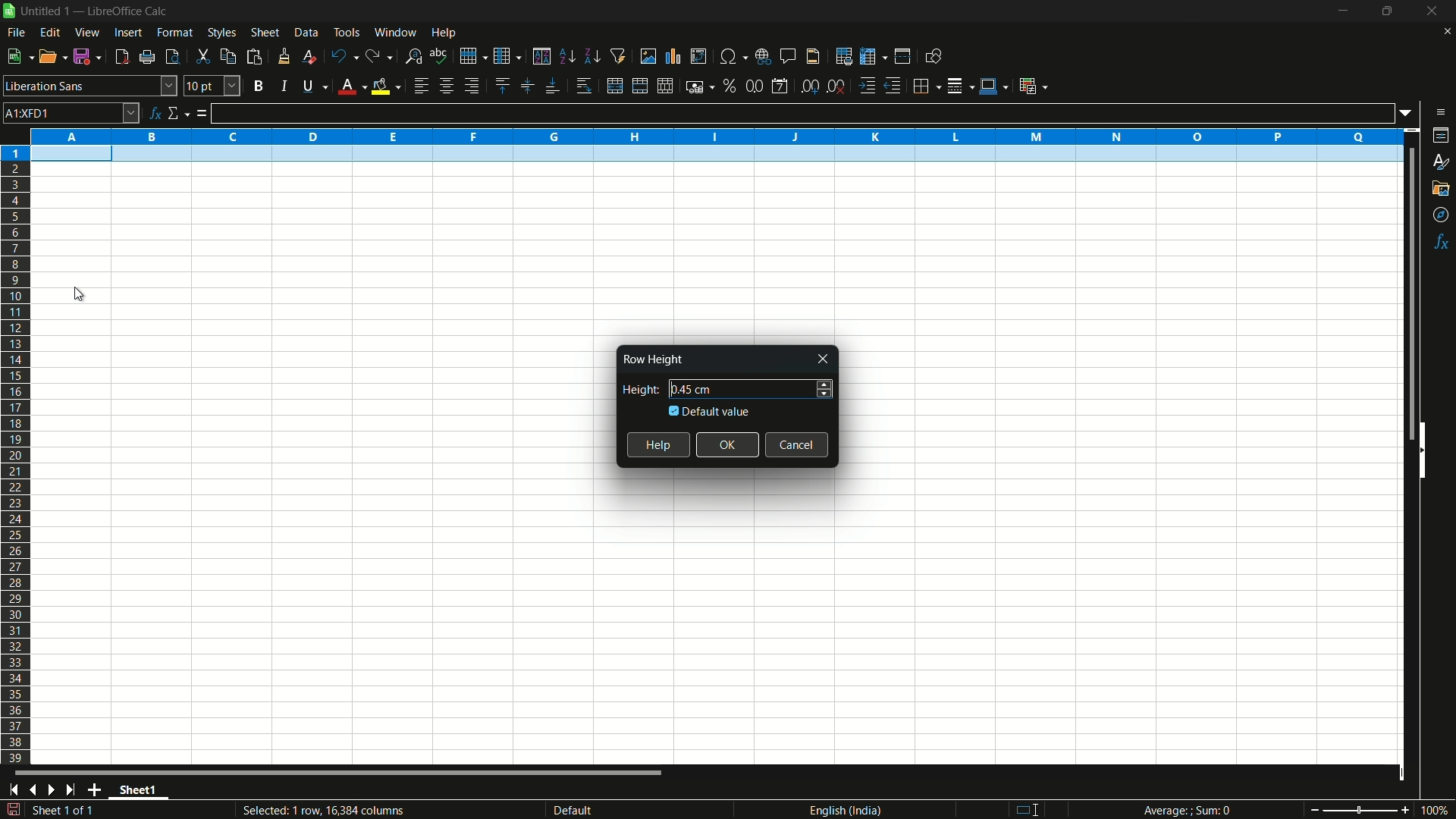 The height and width of the screenshot is (819, 1456). I want to click on | Untitled 1 — LibreOffice Calc, so click(92, 10).